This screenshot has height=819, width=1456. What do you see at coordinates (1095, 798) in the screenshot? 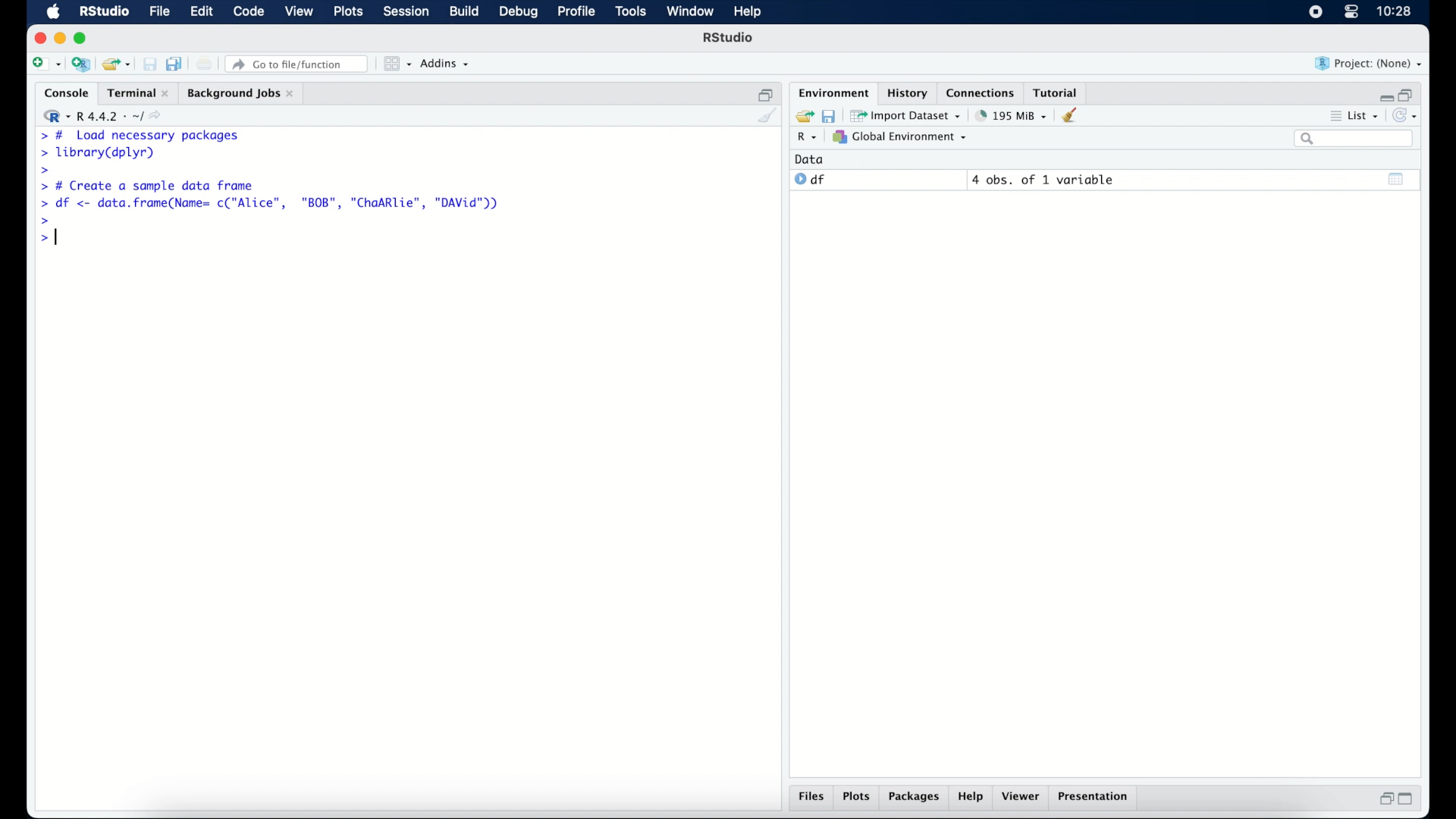
I see `presentation` at bounding box center [1095, 798].